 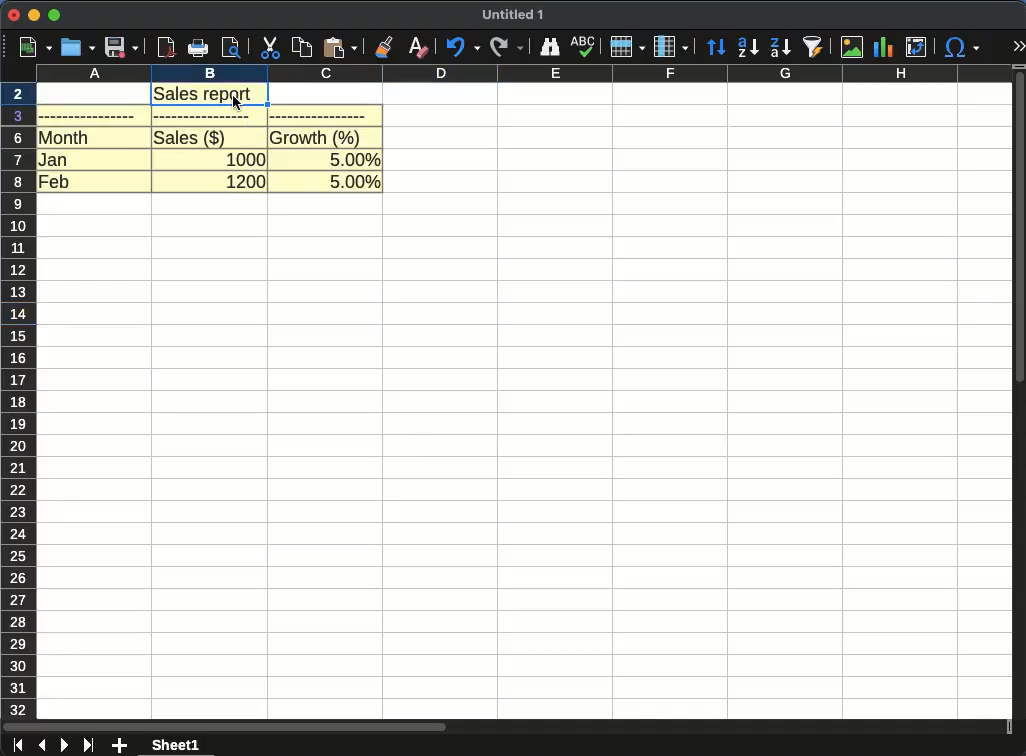 I want to click on clone formatting, so click(x=383, y=47).